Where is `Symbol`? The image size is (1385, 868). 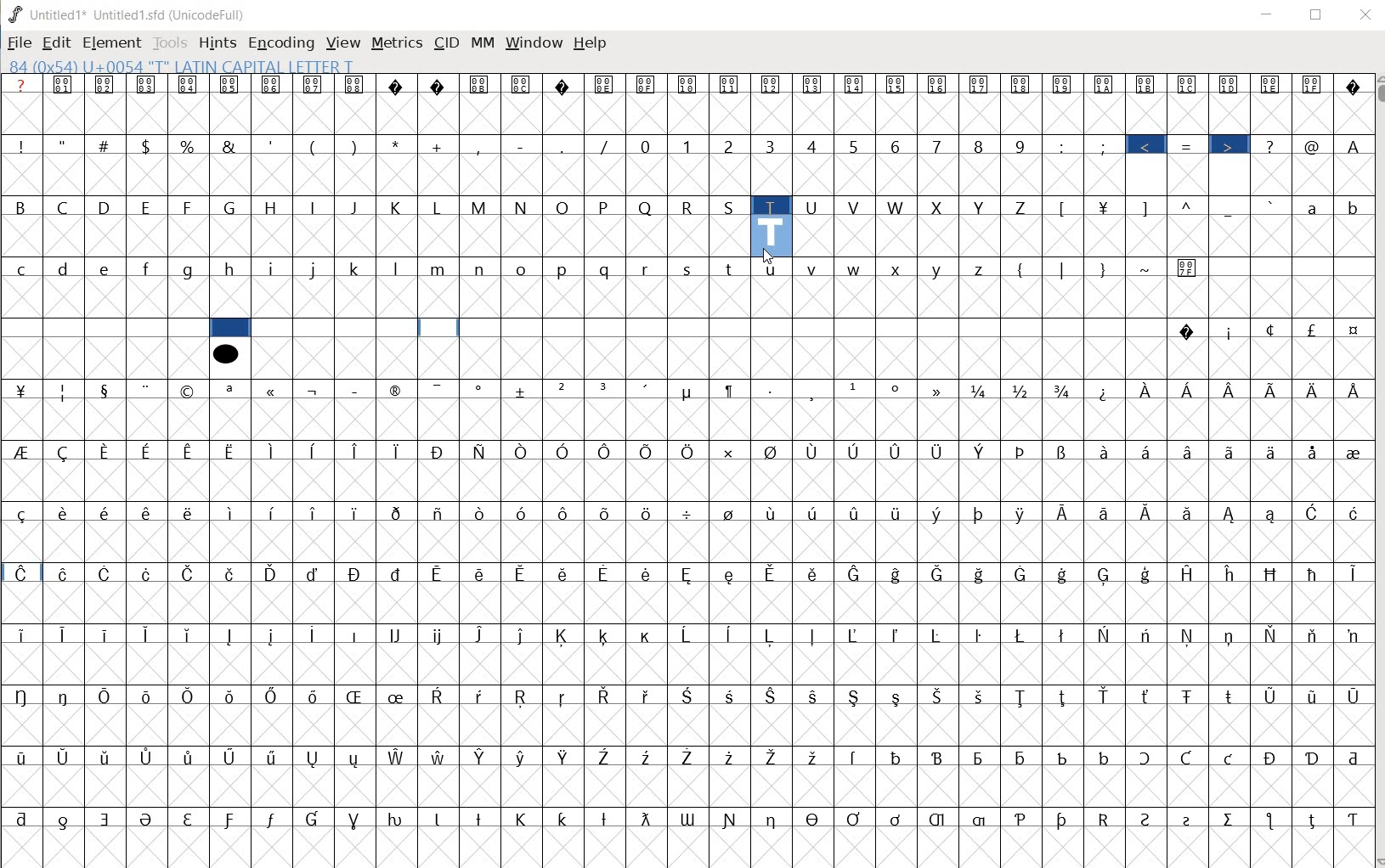
Symbol is located at coordinates (21, 756).